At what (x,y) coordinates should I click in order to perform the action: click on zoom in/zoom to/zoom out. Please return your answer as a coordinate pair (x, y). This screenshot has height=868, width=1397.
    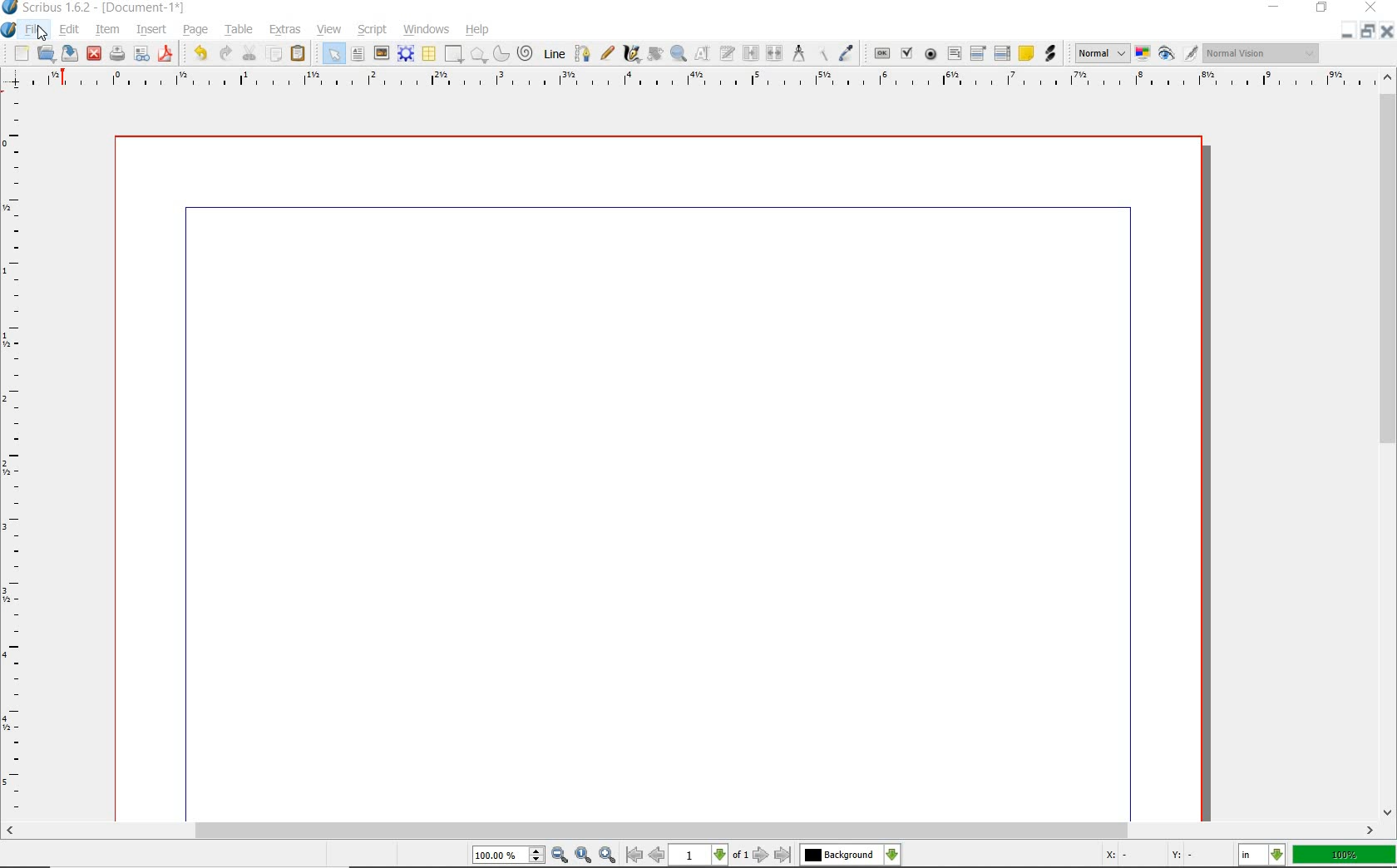
    Looking at the image, I should click on (546, 856).